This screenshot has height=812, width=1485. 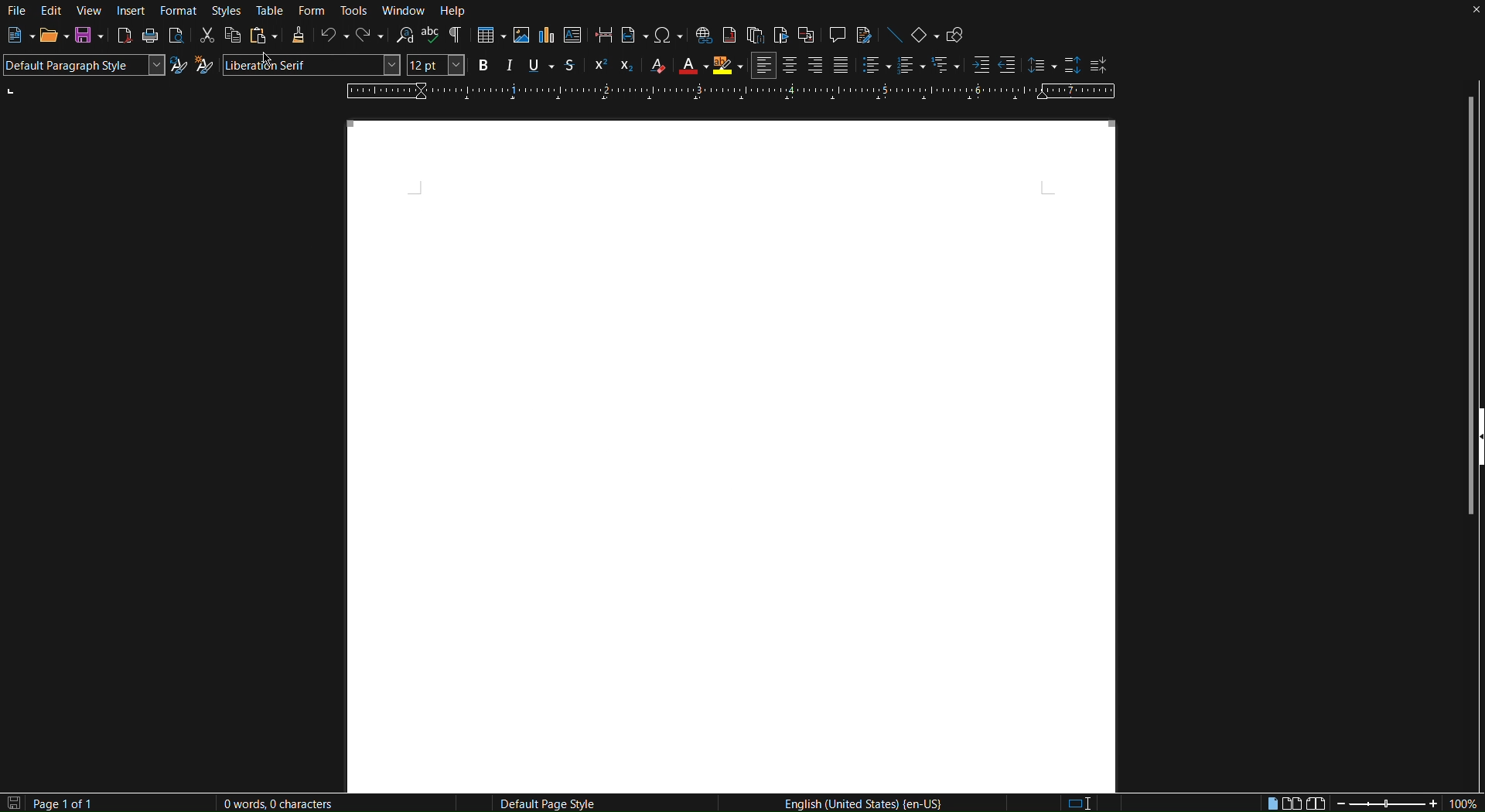 What do you see at coordinates (1472, 239) in the screenshot?
I see `Scrollbar` at bounding box center [1472, 239].